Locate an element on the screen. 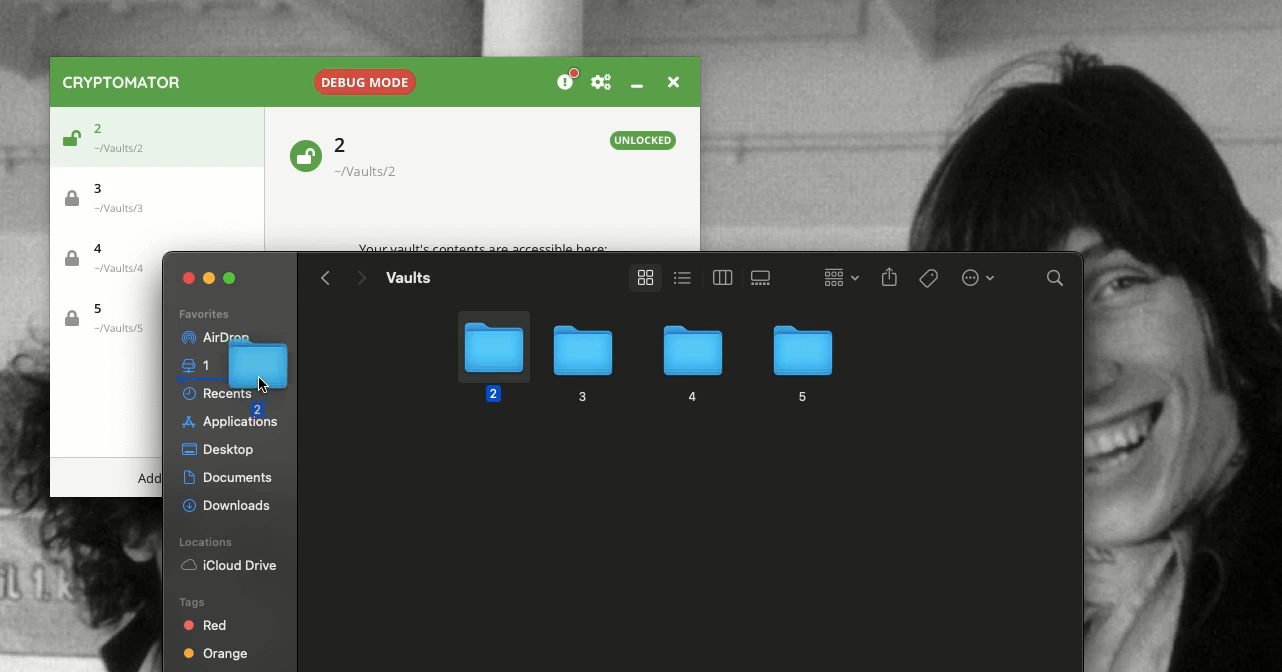 This screenshot has height=672, width=1282. Applications is located at coordinates (227, 425).